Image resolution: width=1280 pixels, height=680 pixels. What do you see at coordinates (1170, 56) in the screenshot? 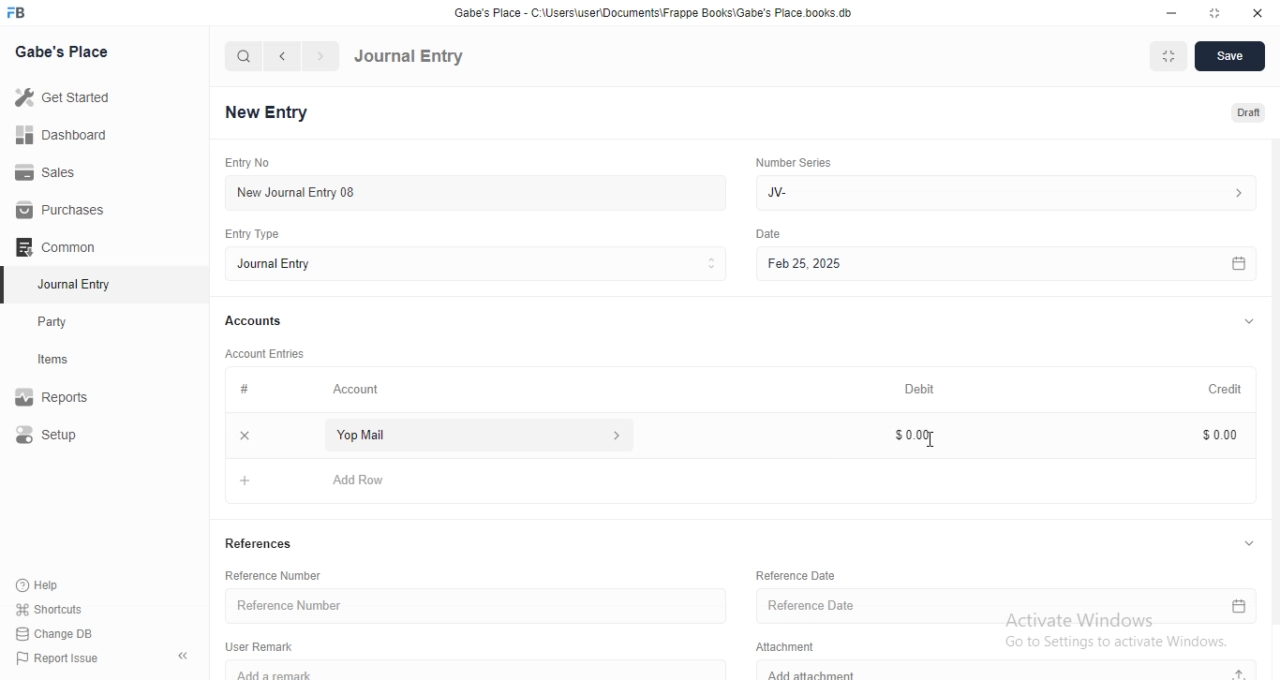
I see `Fit to Window` at bounding box center [1170, 56].